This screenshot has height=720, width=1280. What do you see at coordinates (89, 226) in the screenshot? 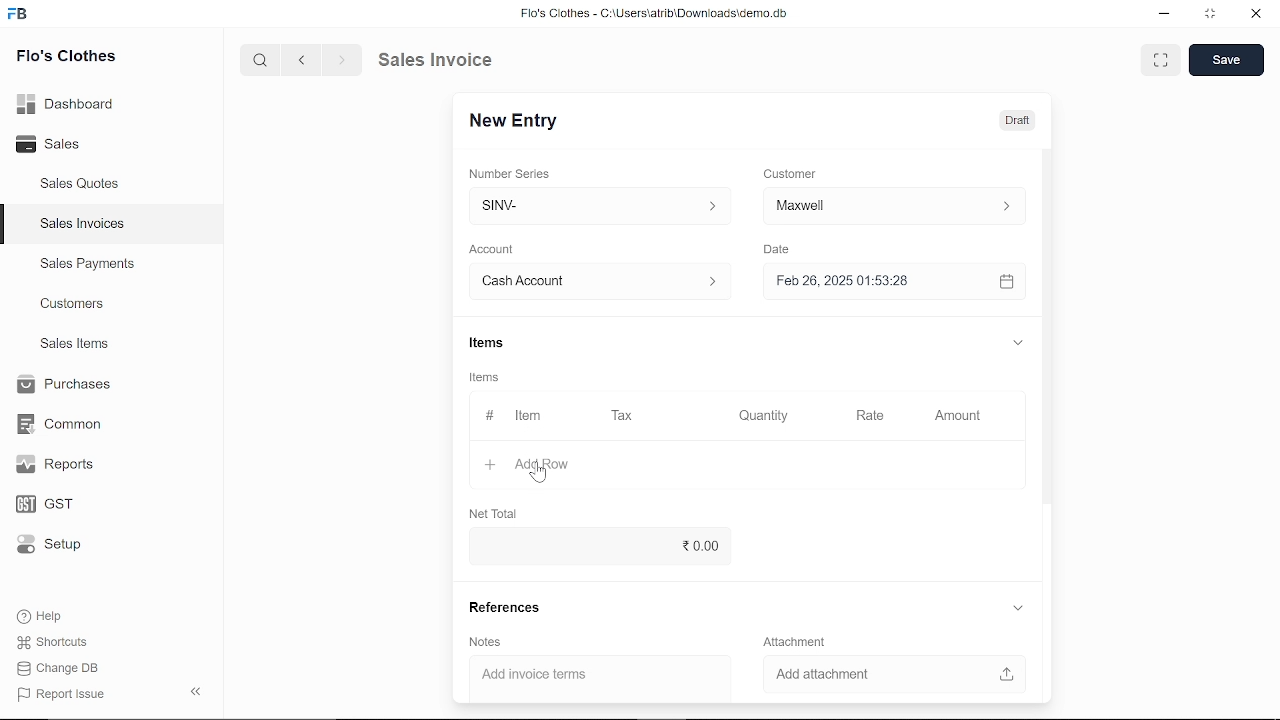
I see `Sales Invoices` at bounding box center [89, 226].